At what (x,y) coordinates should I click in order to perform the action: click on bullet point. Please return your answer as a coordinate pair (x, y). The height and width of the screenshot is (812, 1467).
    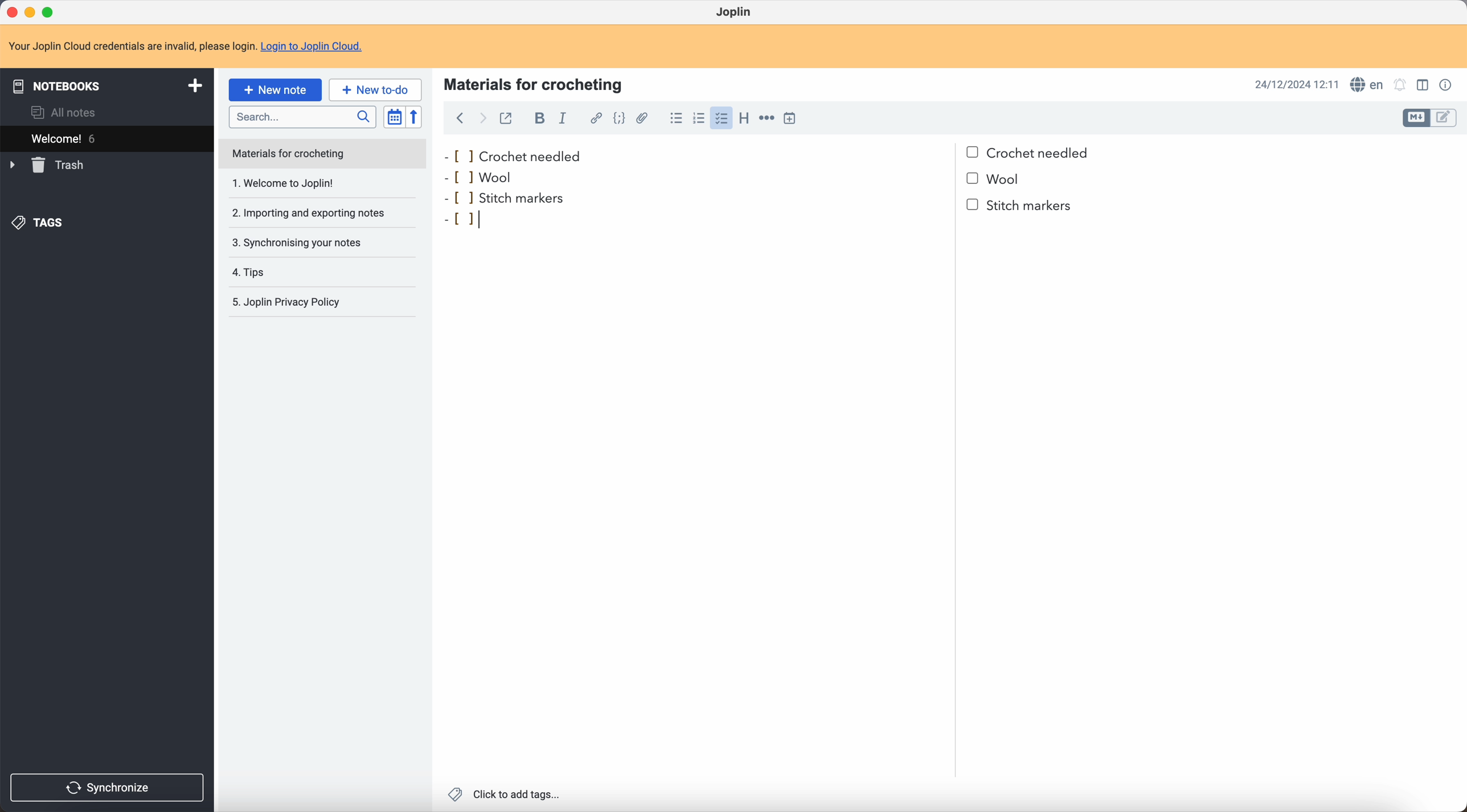
    Looking at the image, I should click on (458, 223).